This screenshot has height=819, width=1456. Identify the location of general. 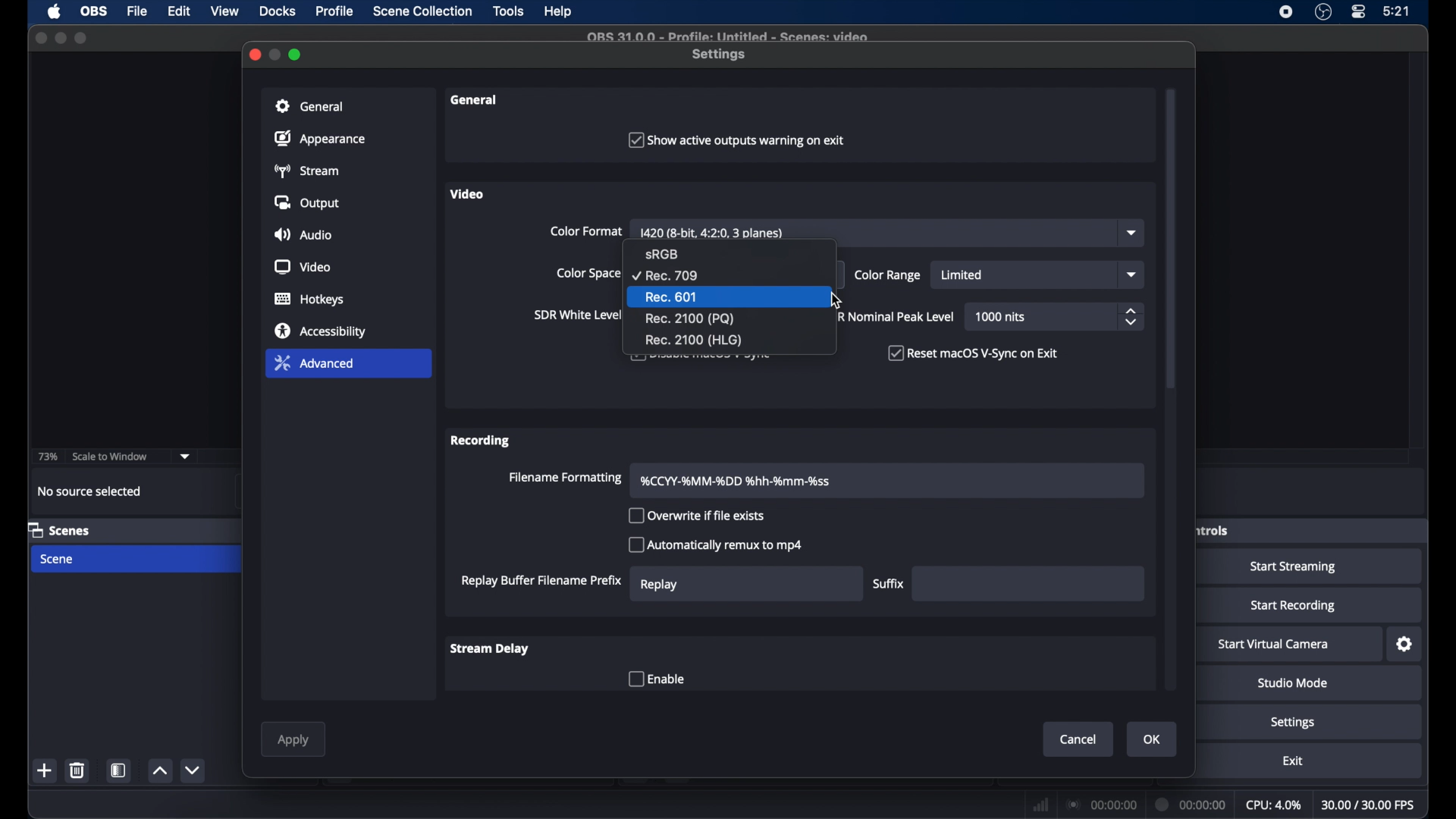
(477, 99).